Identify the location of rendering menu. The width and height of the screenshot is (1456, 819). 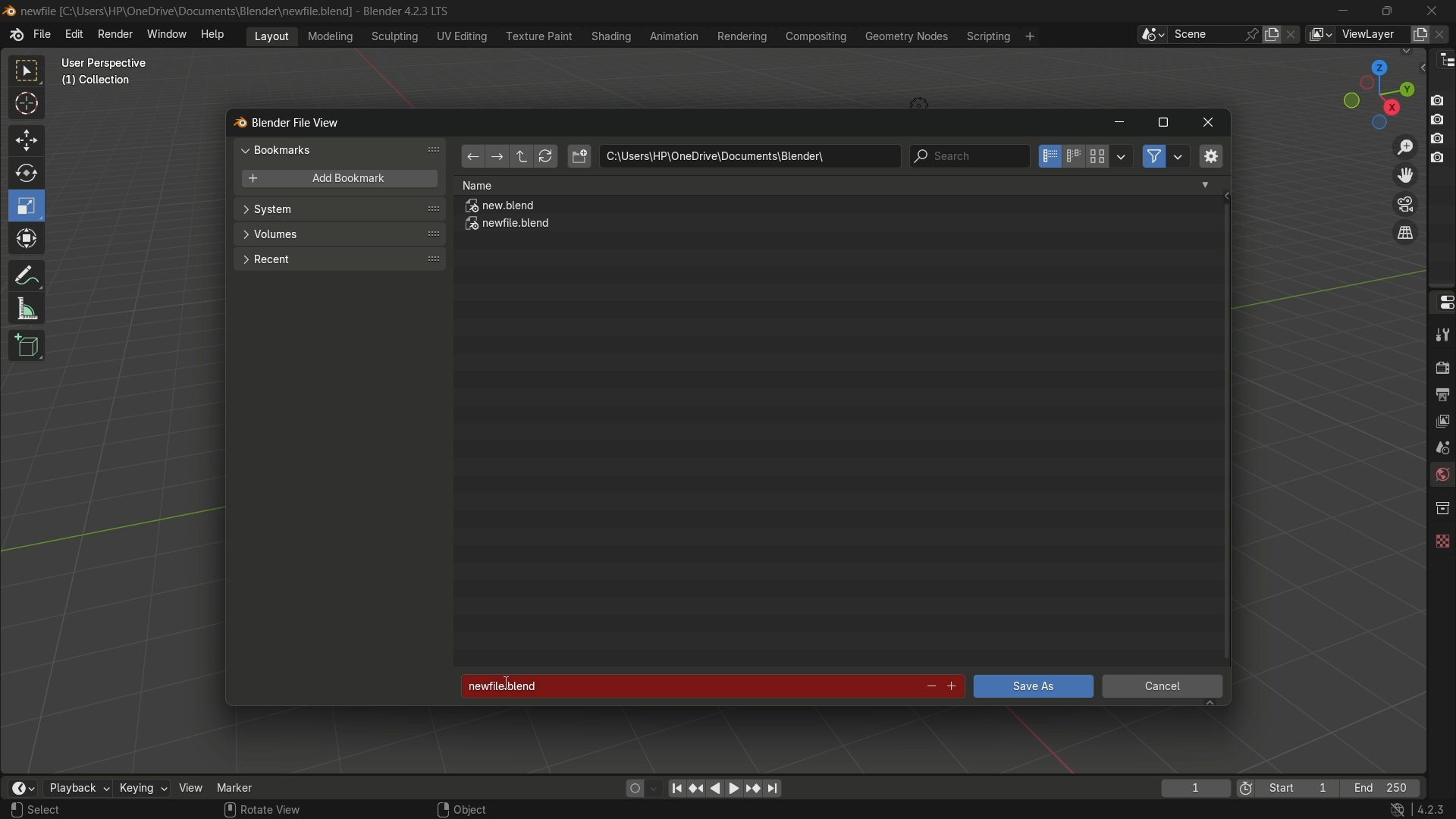
(744, 36).